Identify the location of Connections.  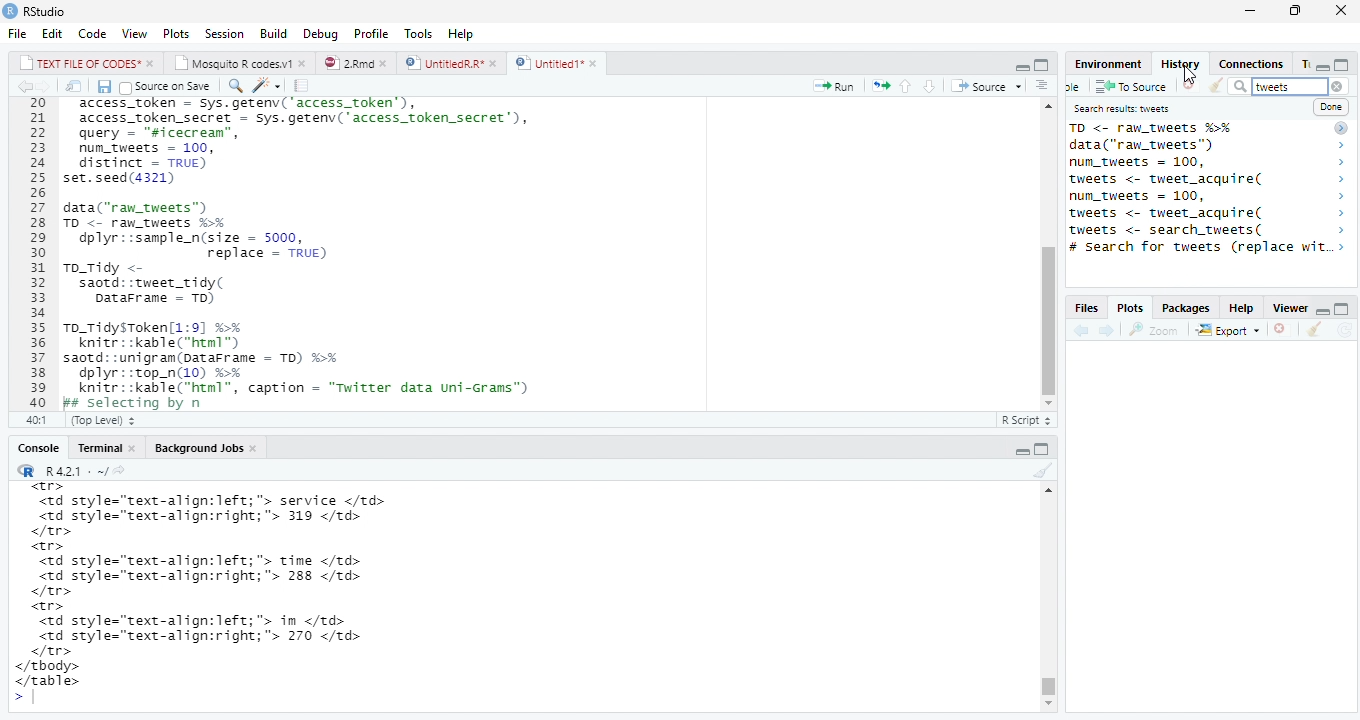
(1263, 63).